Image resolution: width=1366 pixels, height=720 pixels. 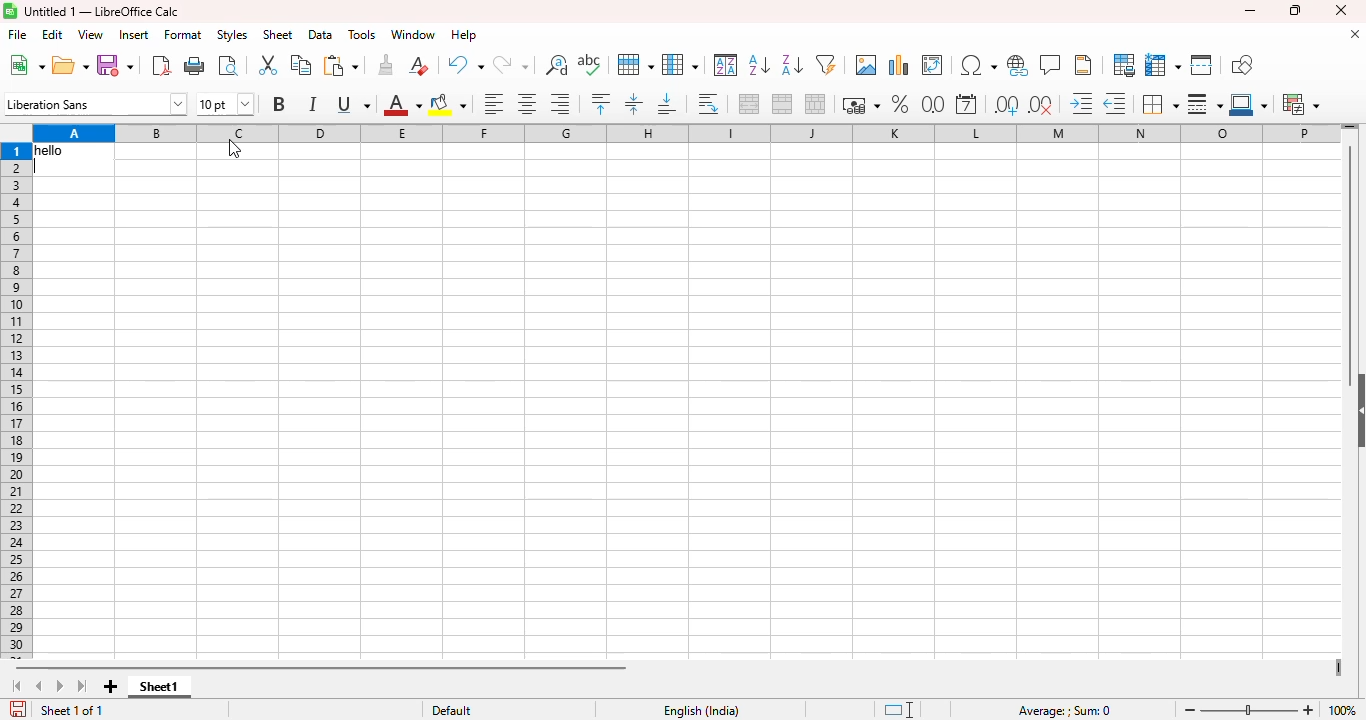 I want to click on click to save the document, so click(x=19, y=708).